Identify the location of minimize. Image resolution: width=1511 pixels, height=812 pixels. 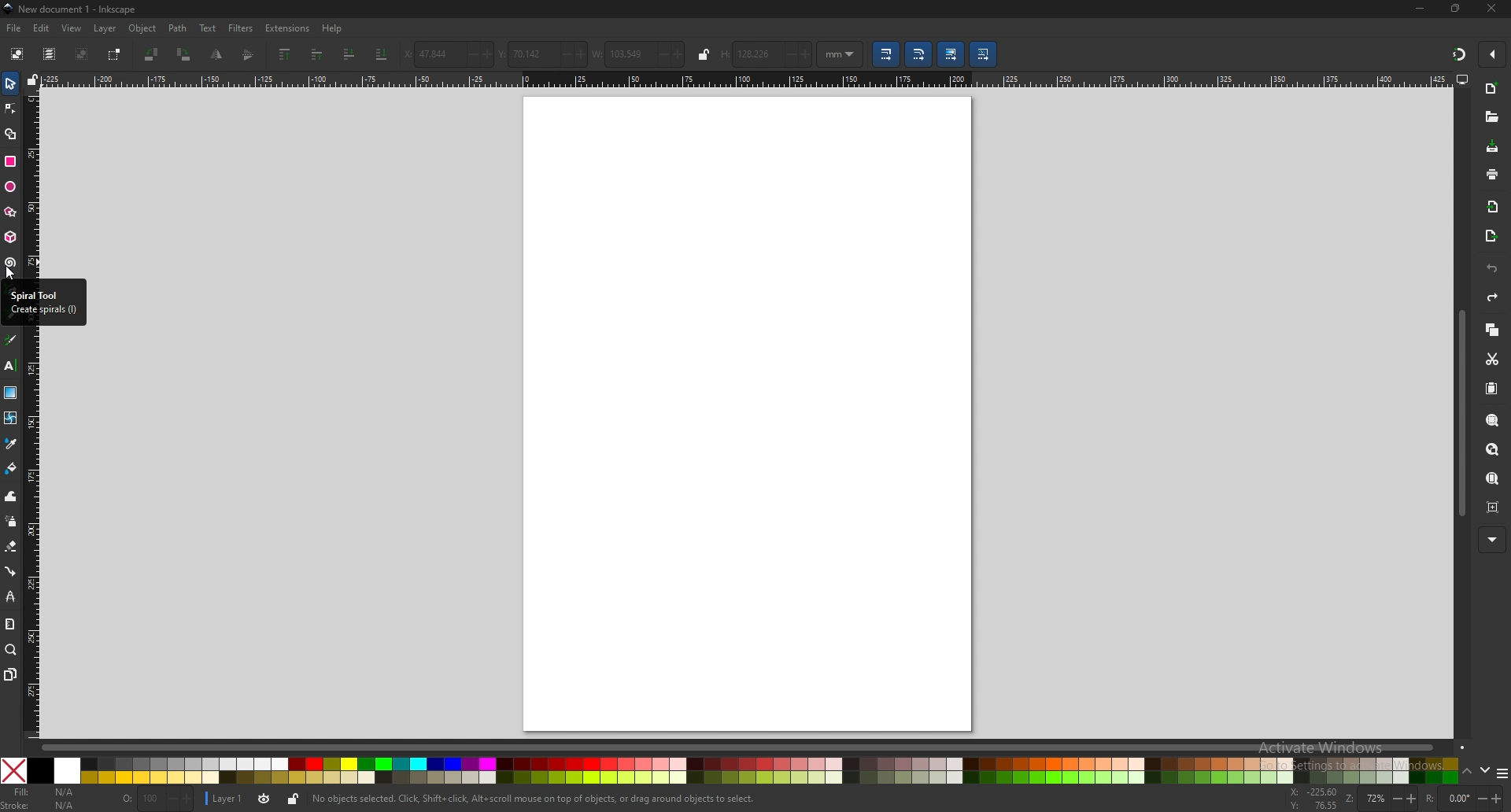
(1419, 8).